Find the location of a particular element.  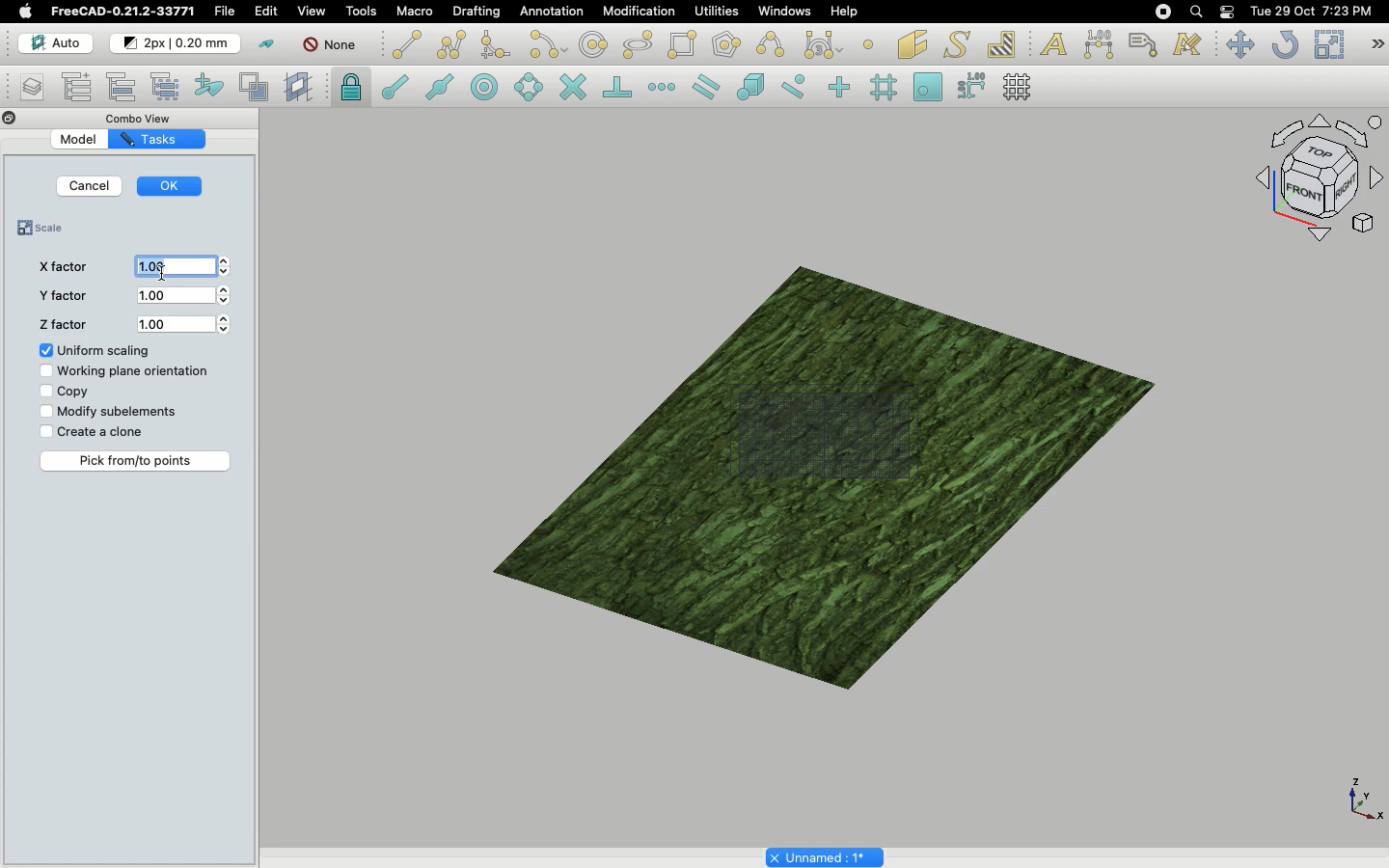

Scale is located at coordinates (46, 230).